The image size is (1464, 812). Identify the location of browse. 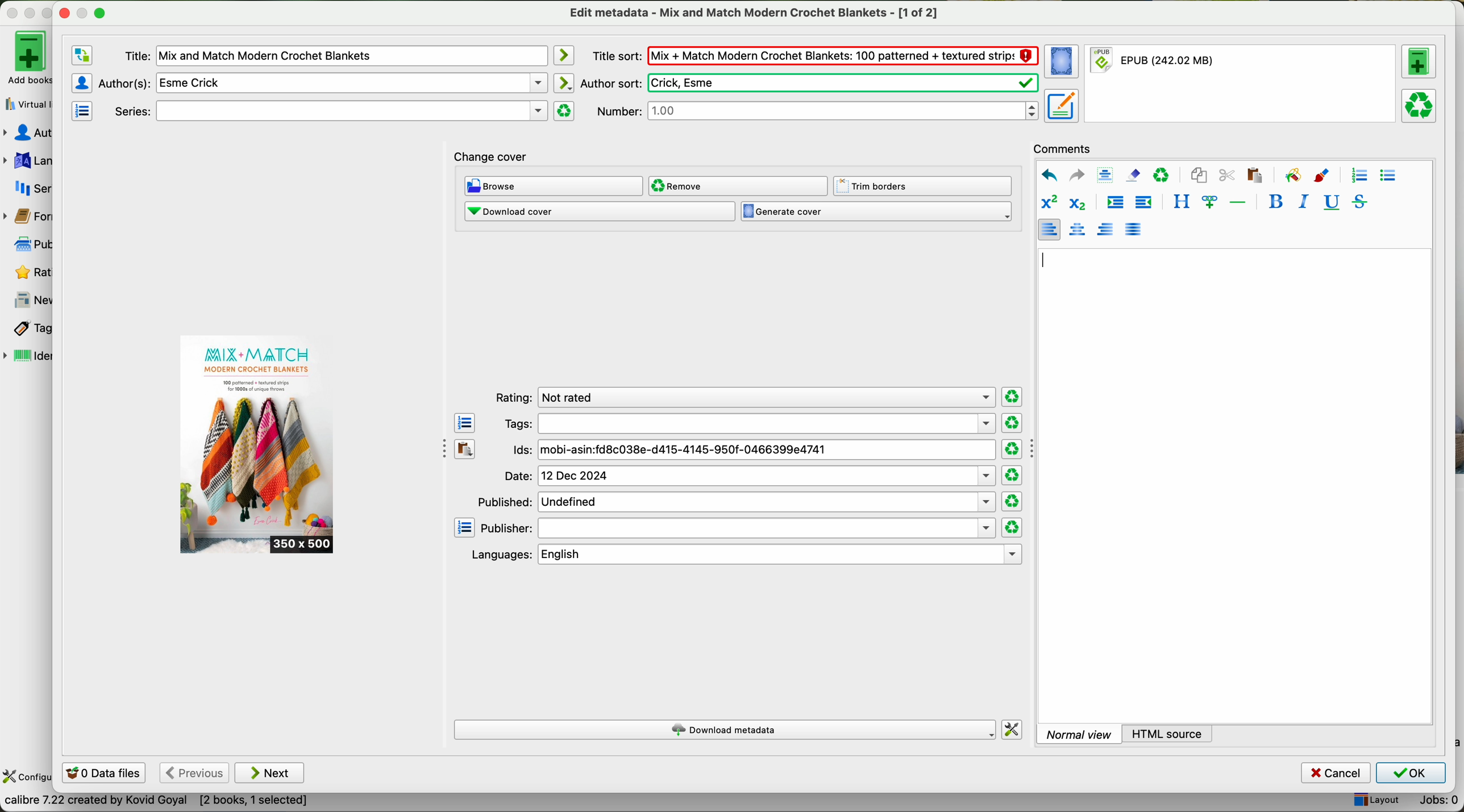
(554, 187).